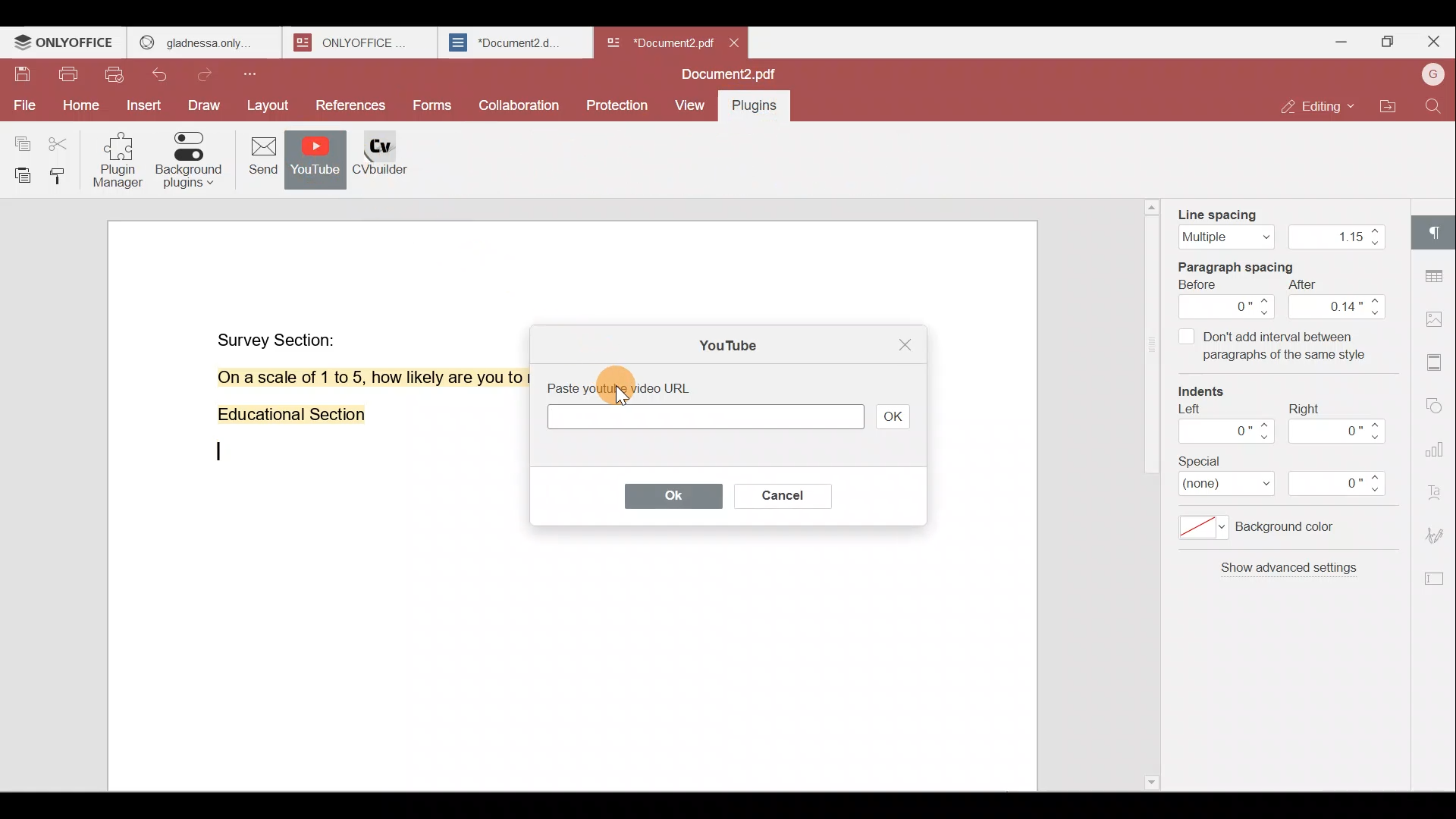 This screenshot has width=1456, height=819. What do you see at coordinates (902, 346) in the screenshot?
I see `Close` at bounding box center [902, 346].